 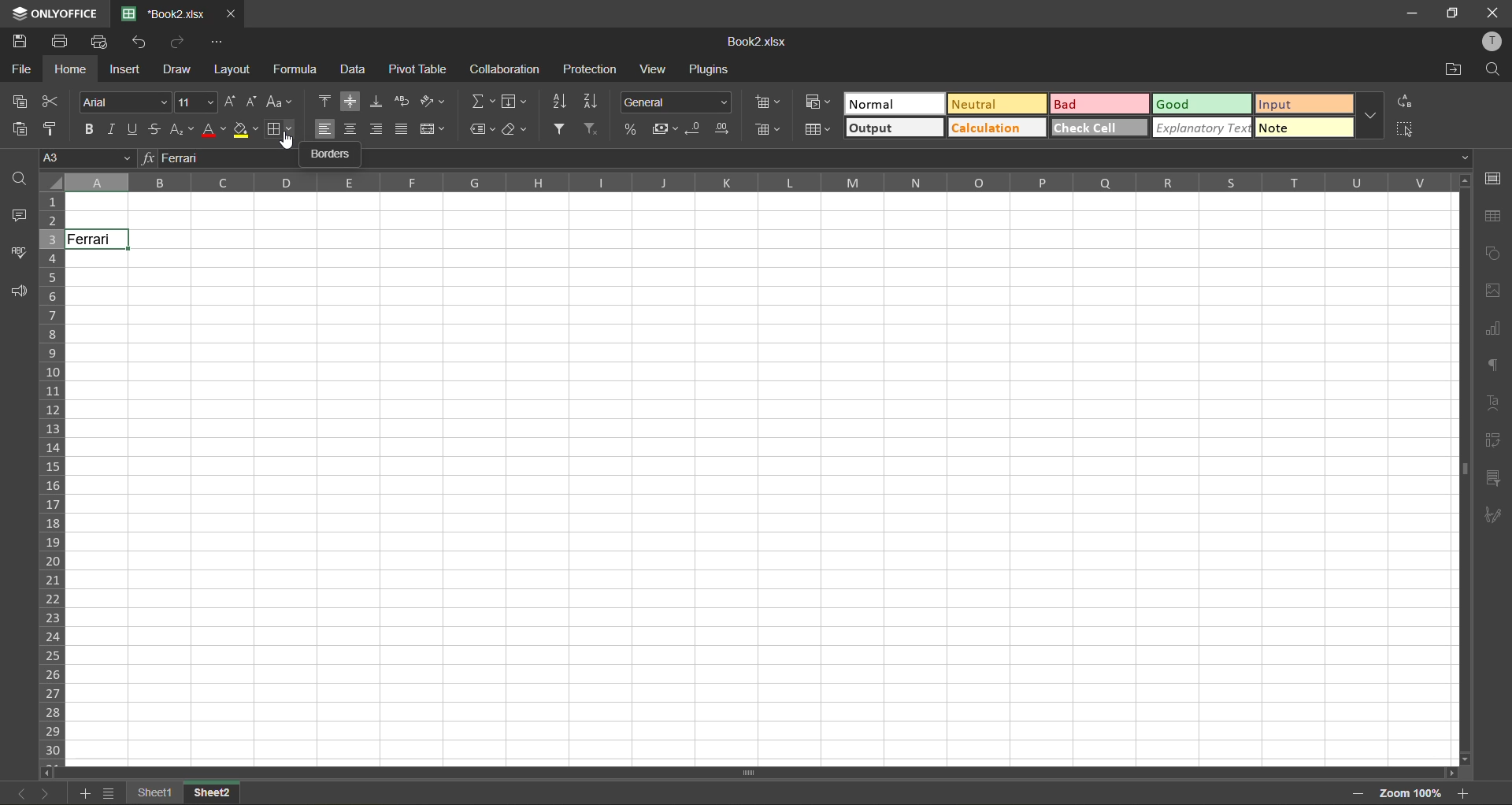 I want to click on align left, so click(x=325, y=128).